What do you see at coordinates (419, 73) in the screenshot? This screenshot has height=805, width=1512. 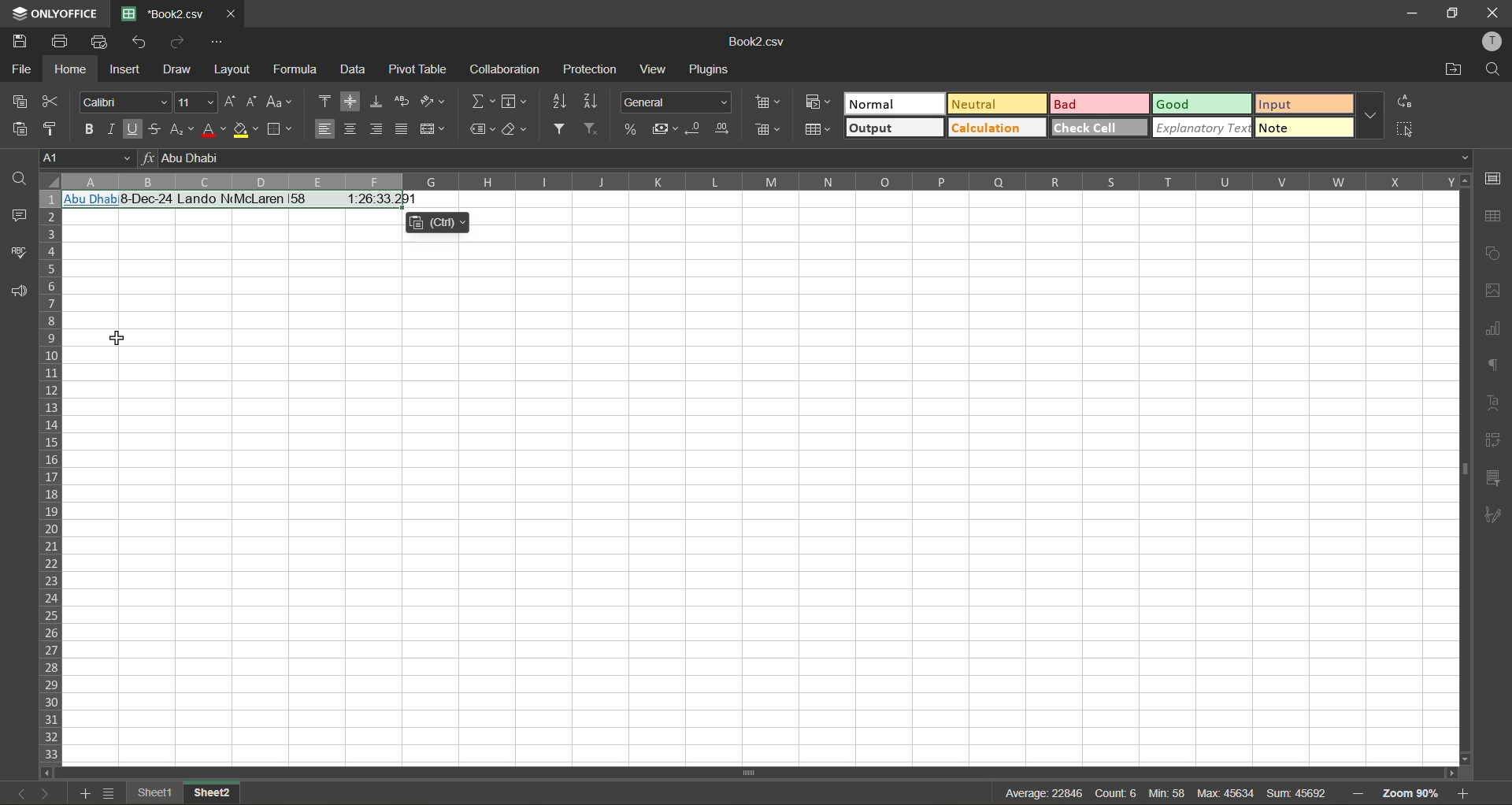 I see `pivot table` at bounding box center [419, 73].